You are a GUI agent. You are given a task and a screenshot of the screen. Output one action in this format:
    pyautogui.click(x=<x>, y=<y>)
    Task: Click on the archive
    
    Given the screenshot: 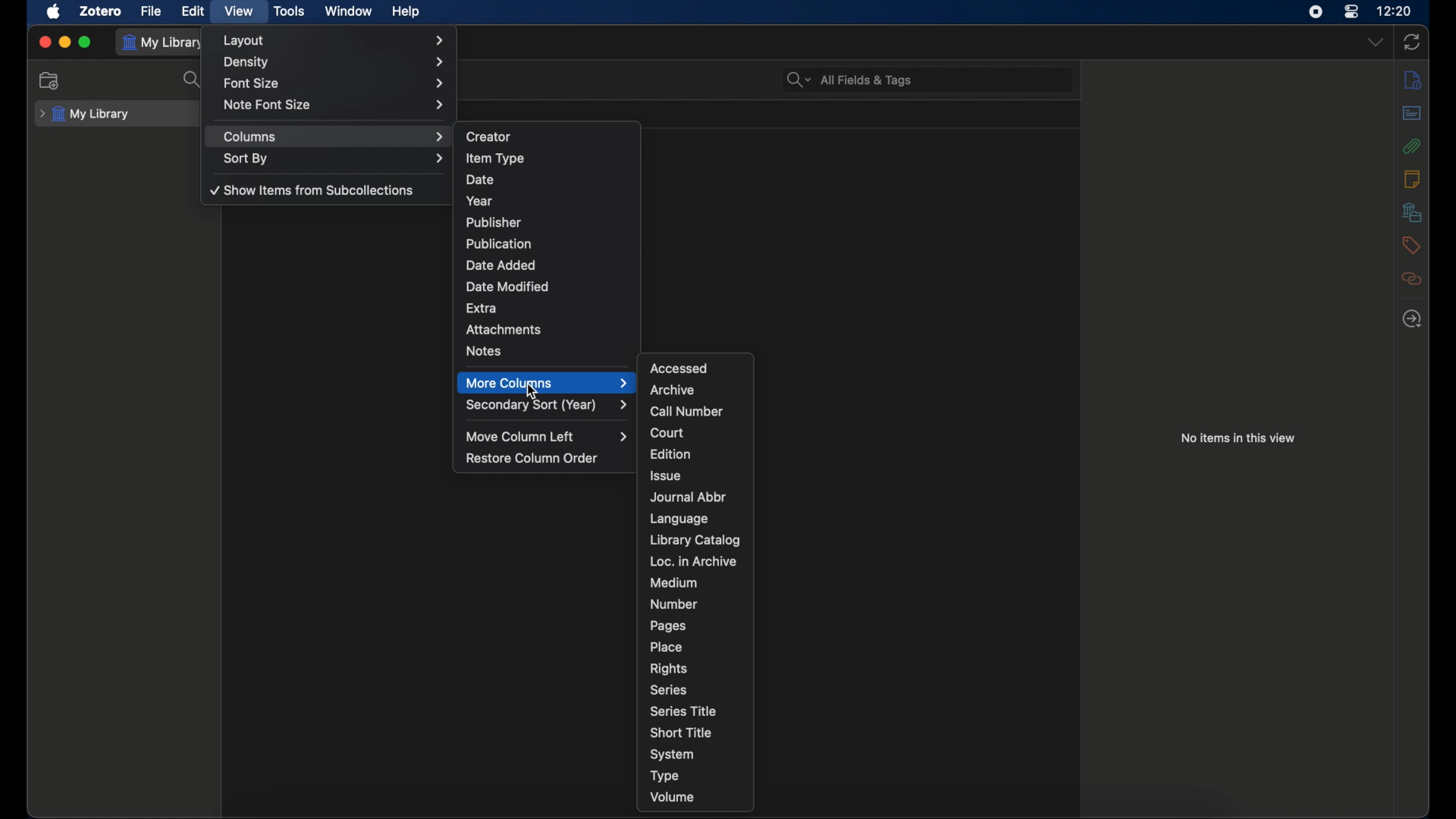 What is the action you would take?
    pyautogui.click(x=672, y=390)
    